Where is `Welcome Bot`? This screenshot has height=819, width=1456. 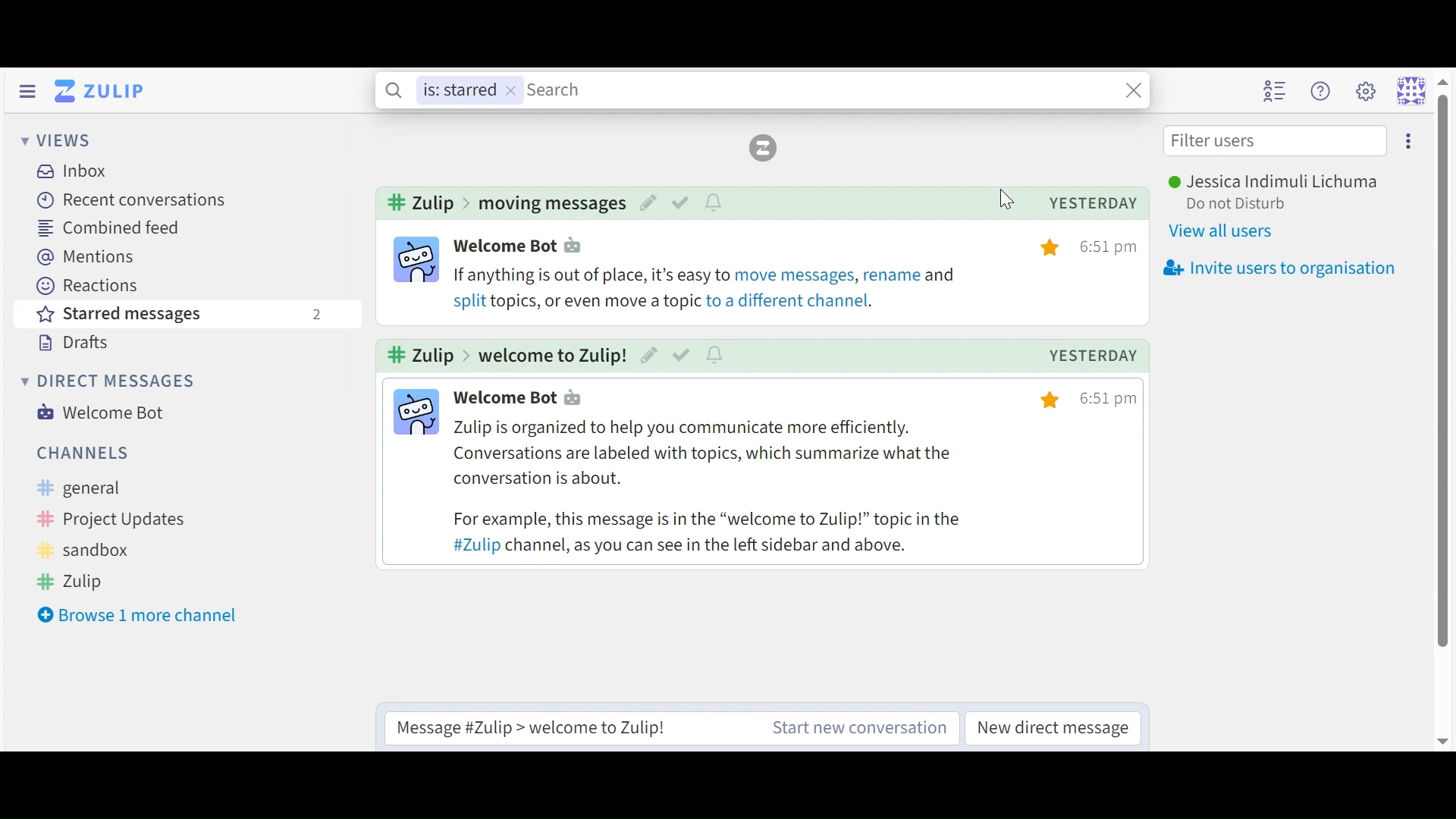
Welcome Bot is located at coordinates (101, 413).